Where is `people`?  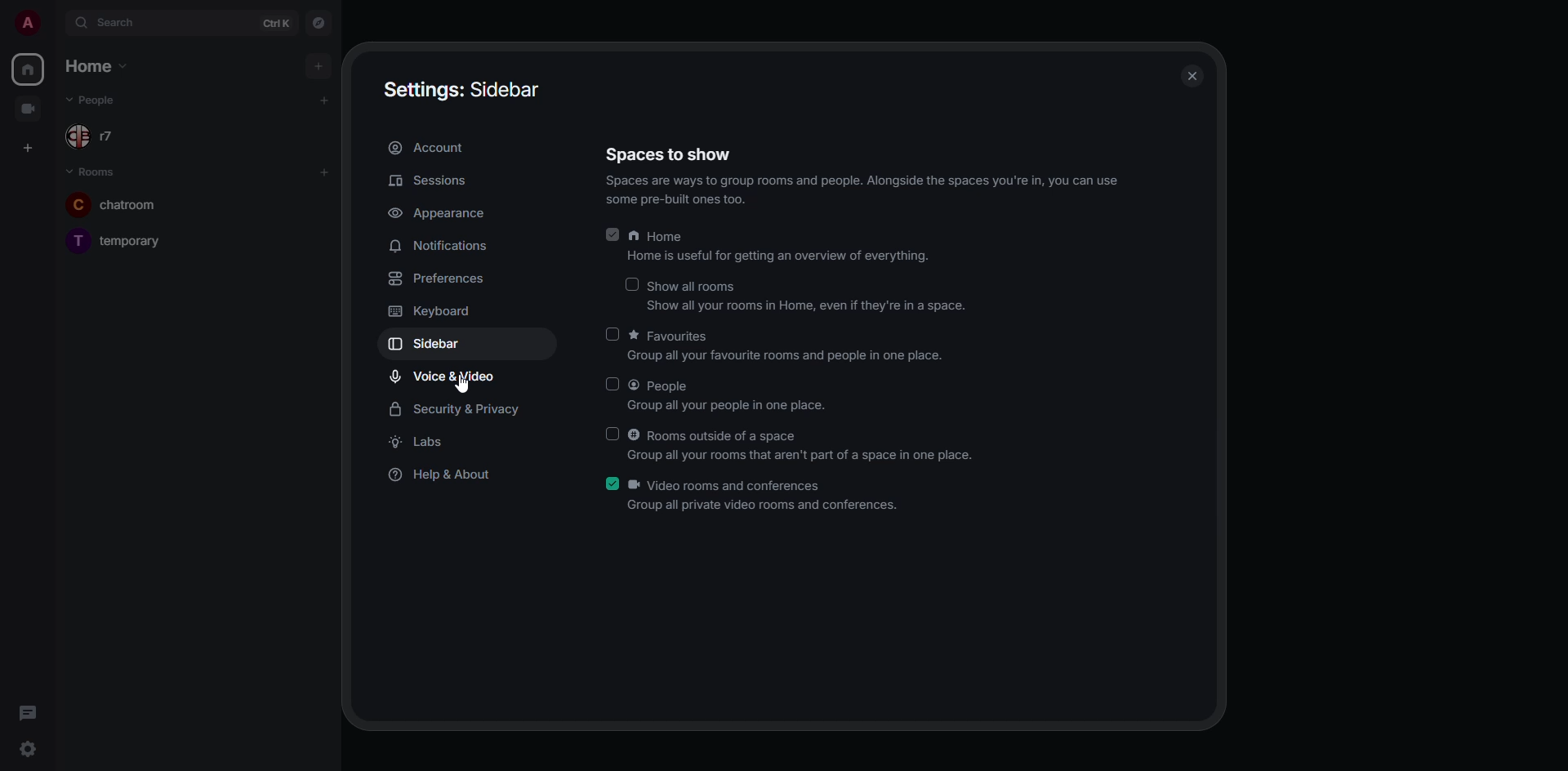
people is located at coordinates (94, 100).